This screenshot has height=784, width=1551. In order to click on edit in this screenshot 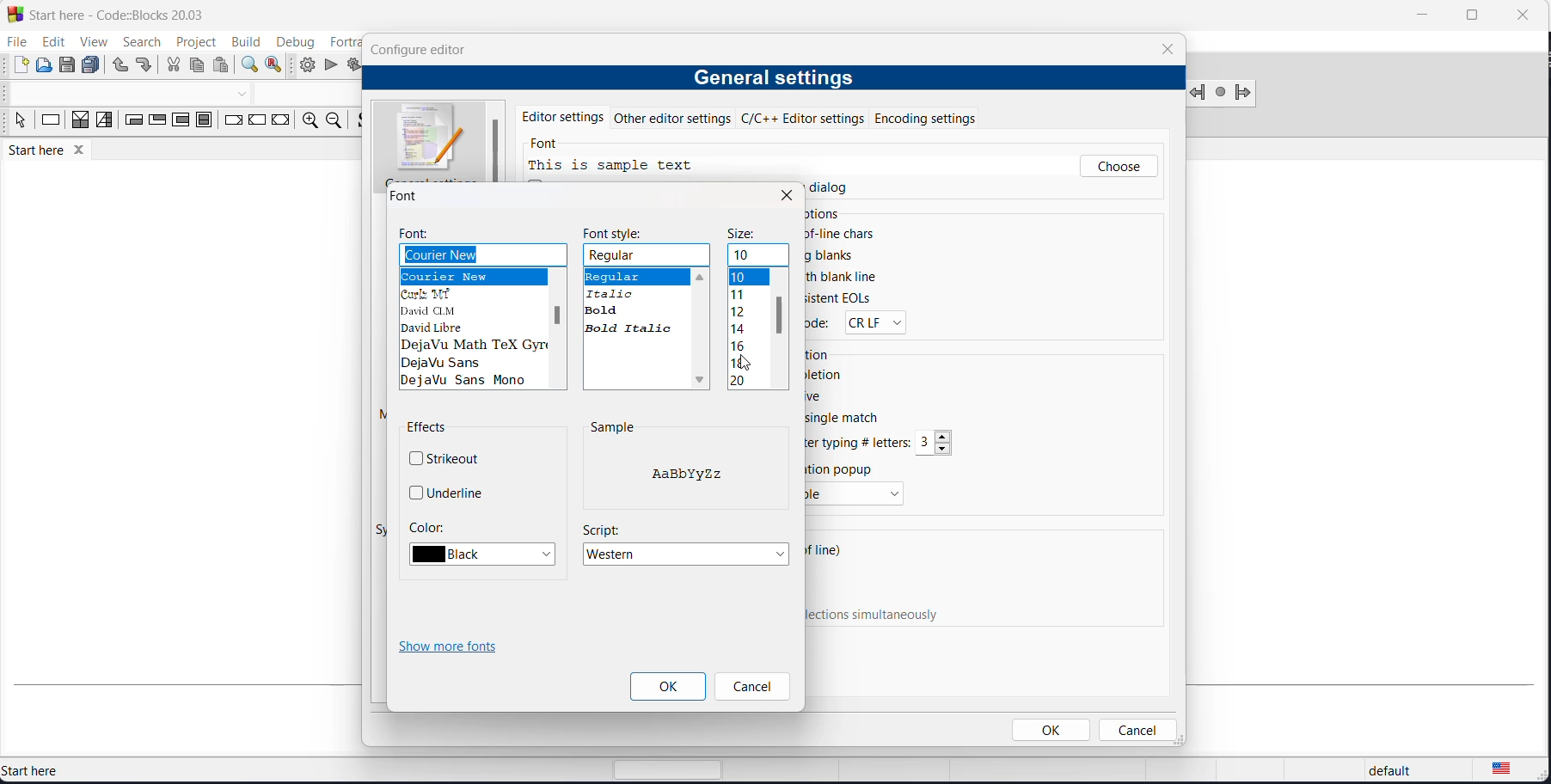, I will do `click(50, 42)`.